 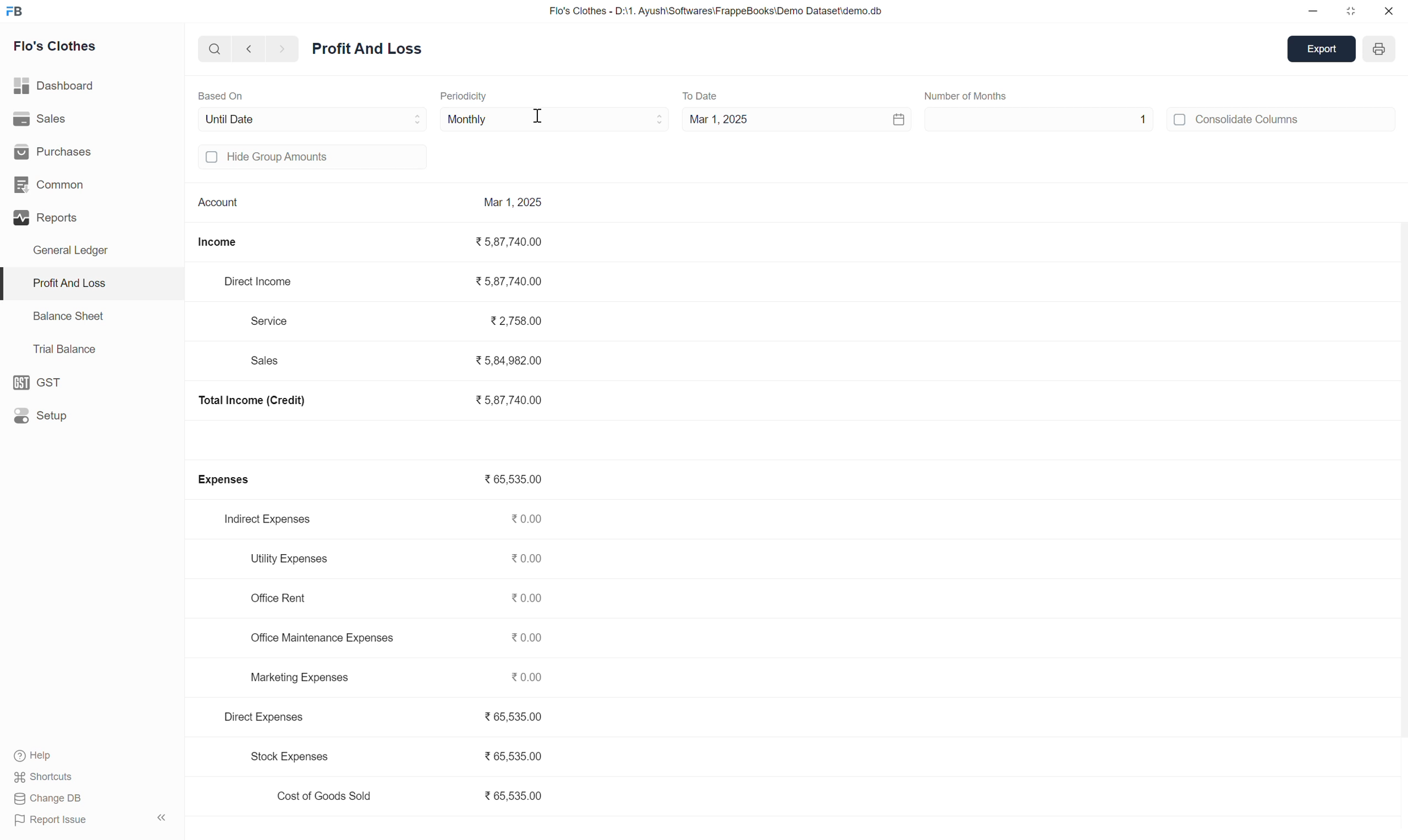 I want to click on ₹0.00, so click(x=529, y=559).